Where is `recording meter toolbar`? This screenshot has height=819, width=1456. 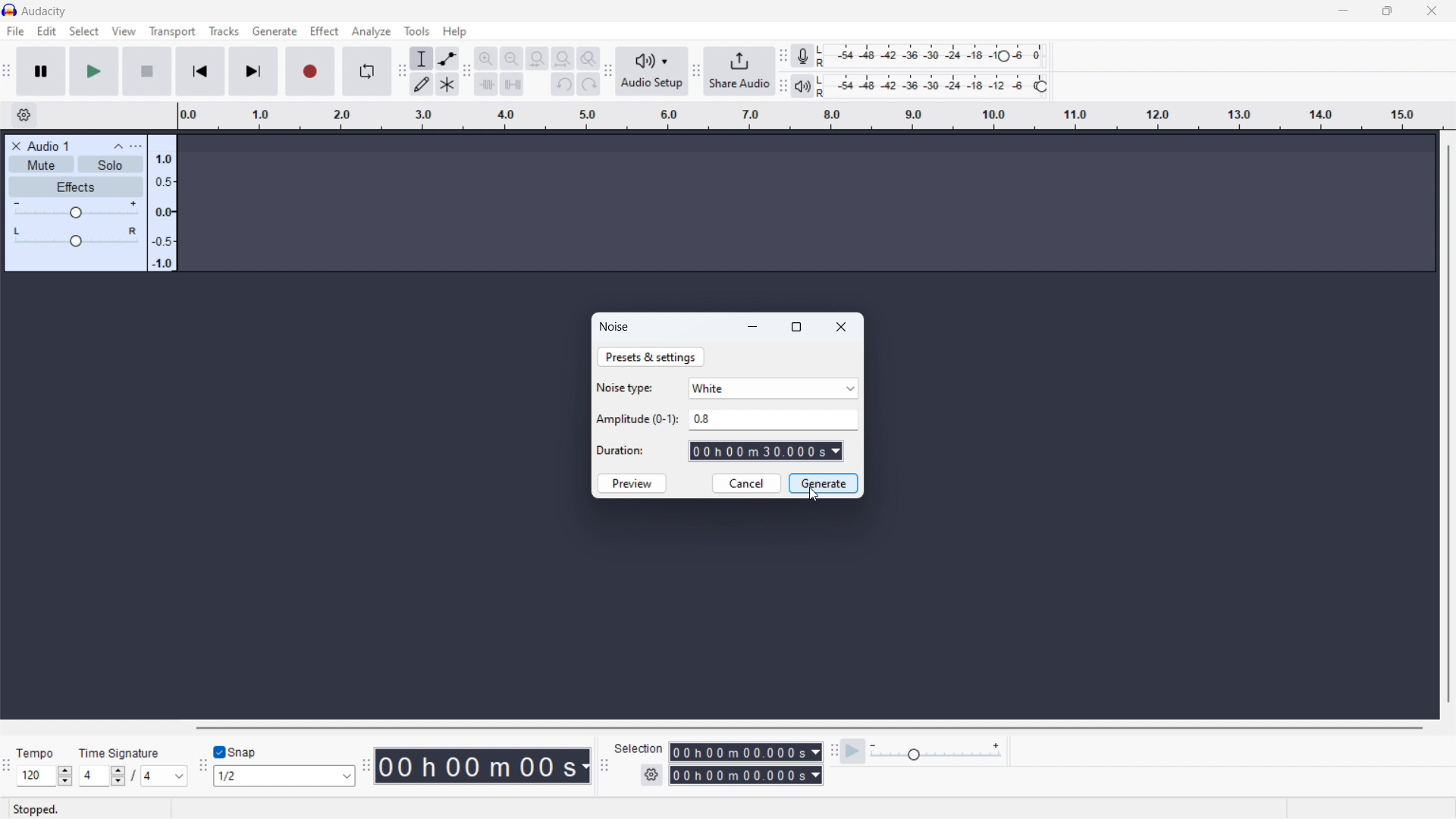 recording meter toolbar is located at coordinates (783, 56).